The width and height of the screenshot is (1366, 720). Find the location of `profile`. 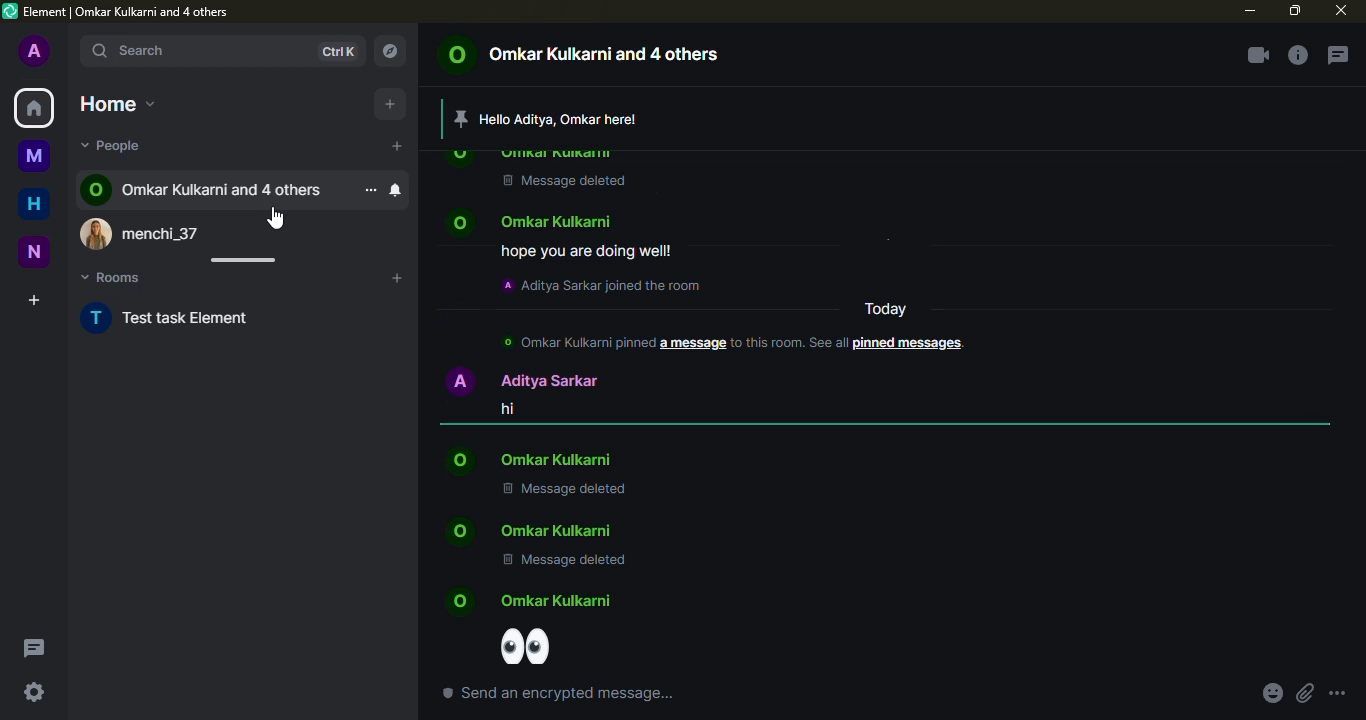

profile is located at coordinates (35, 52).